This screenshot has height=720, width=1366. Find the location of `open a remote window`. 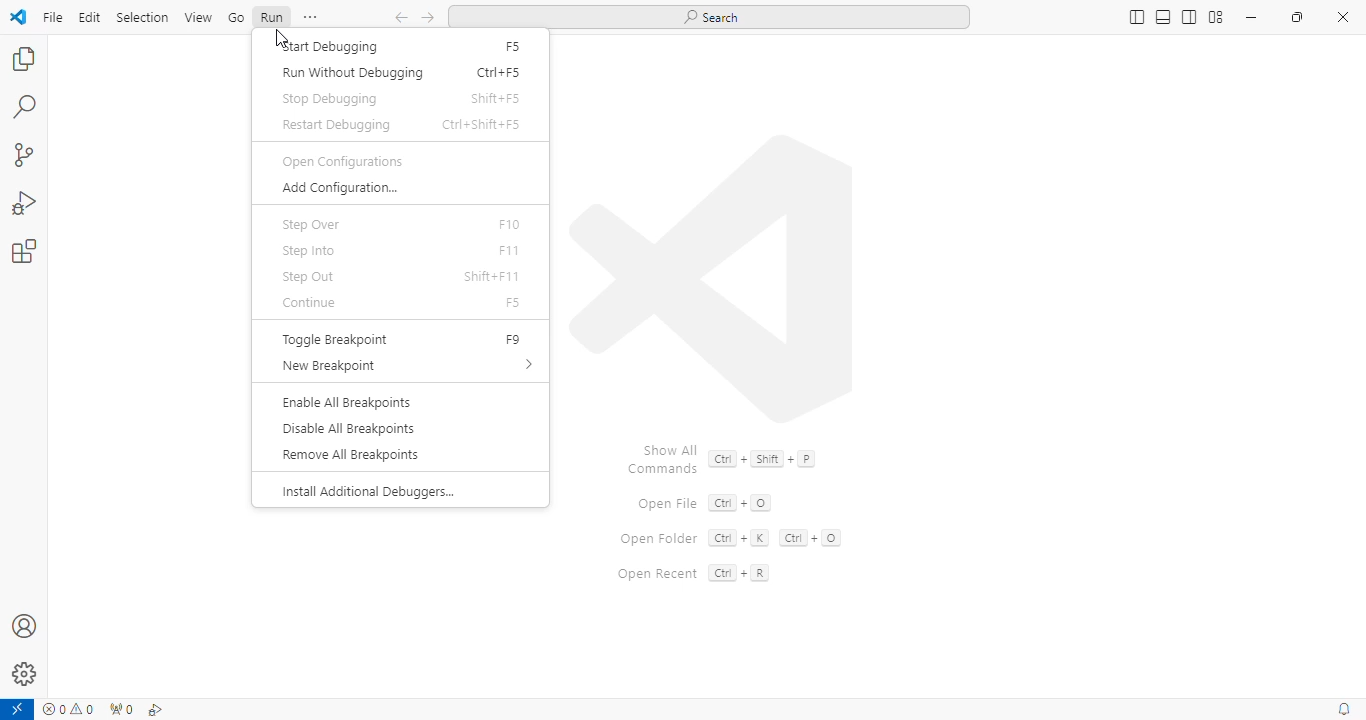

open a remote window is located at coordinates (17, 710).